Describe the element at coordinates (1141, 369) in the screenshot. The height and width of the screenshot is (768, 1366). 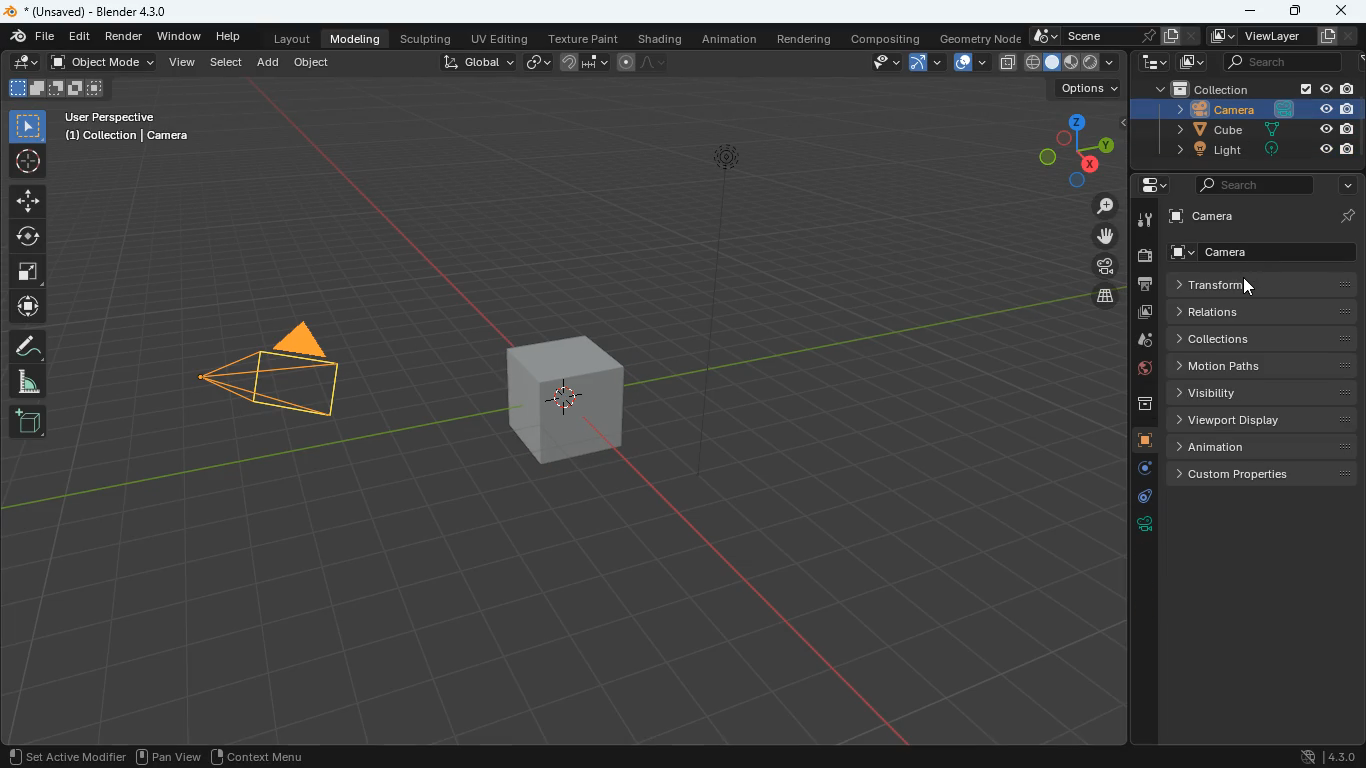
I see `globe` at that location.